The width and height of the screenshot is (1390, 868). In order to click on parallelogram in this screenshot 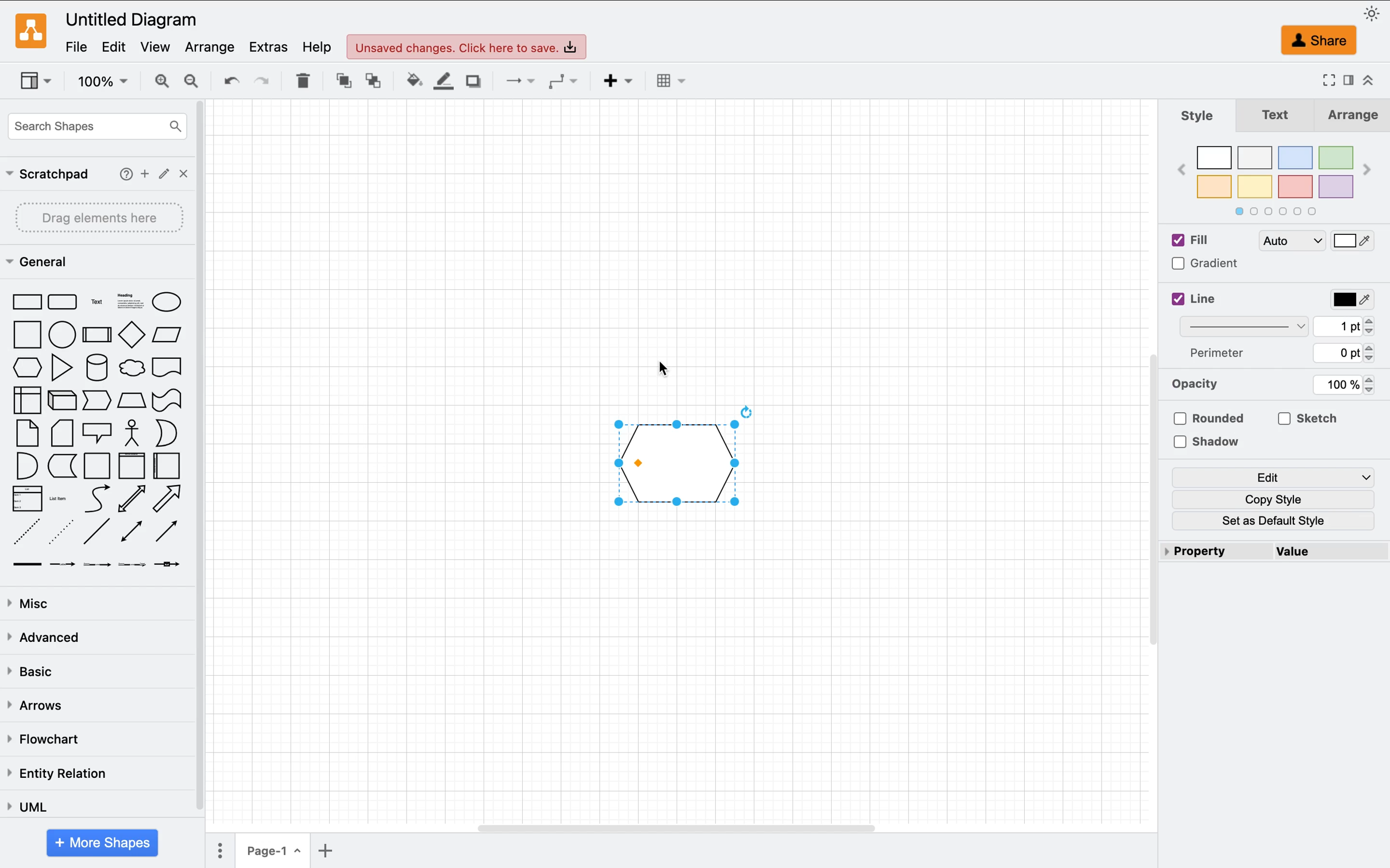, I will do `click(171, 334)`.